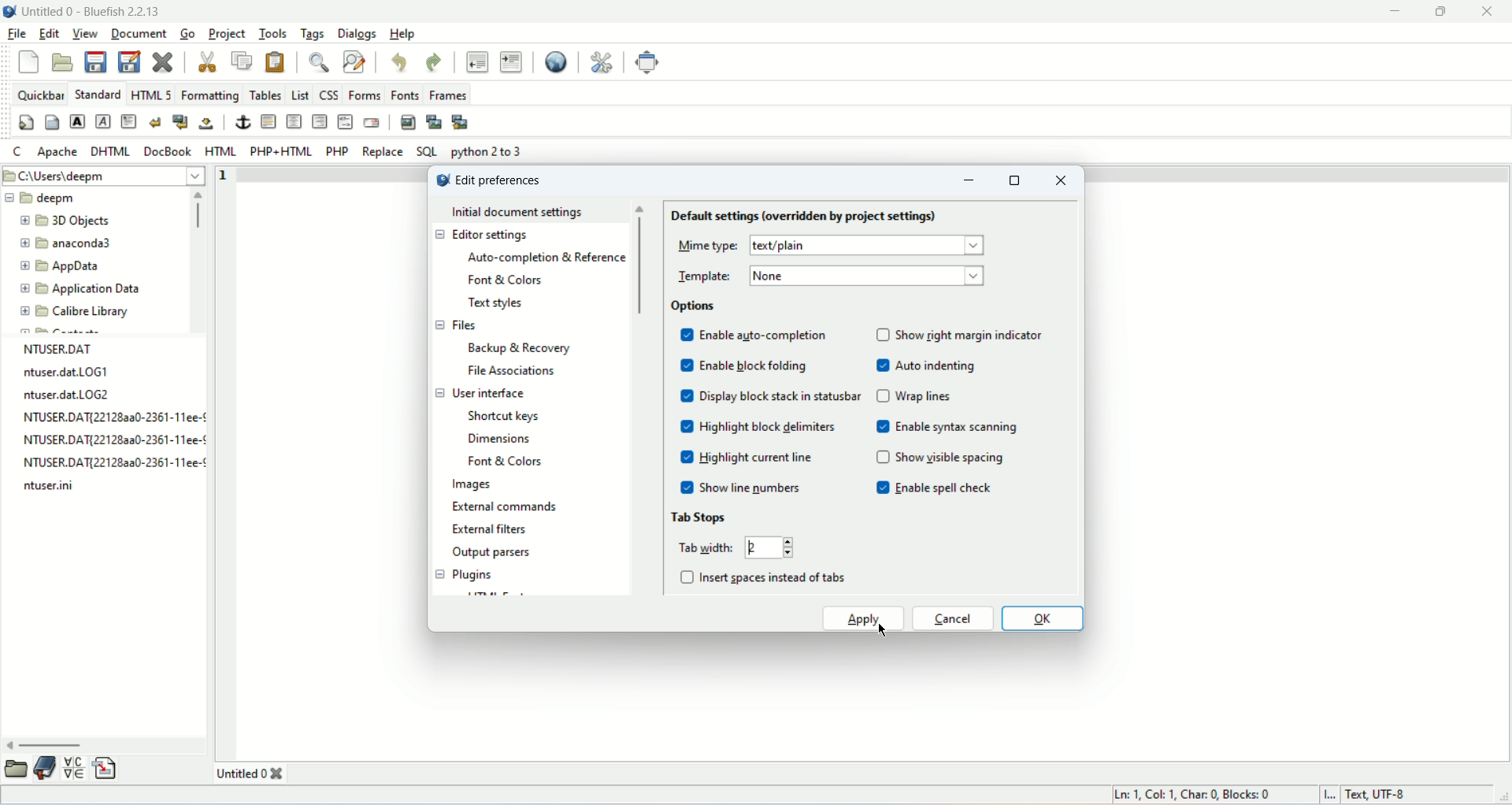 The image size is (1512, 805). I want to click on PHP, so click(337, 151).